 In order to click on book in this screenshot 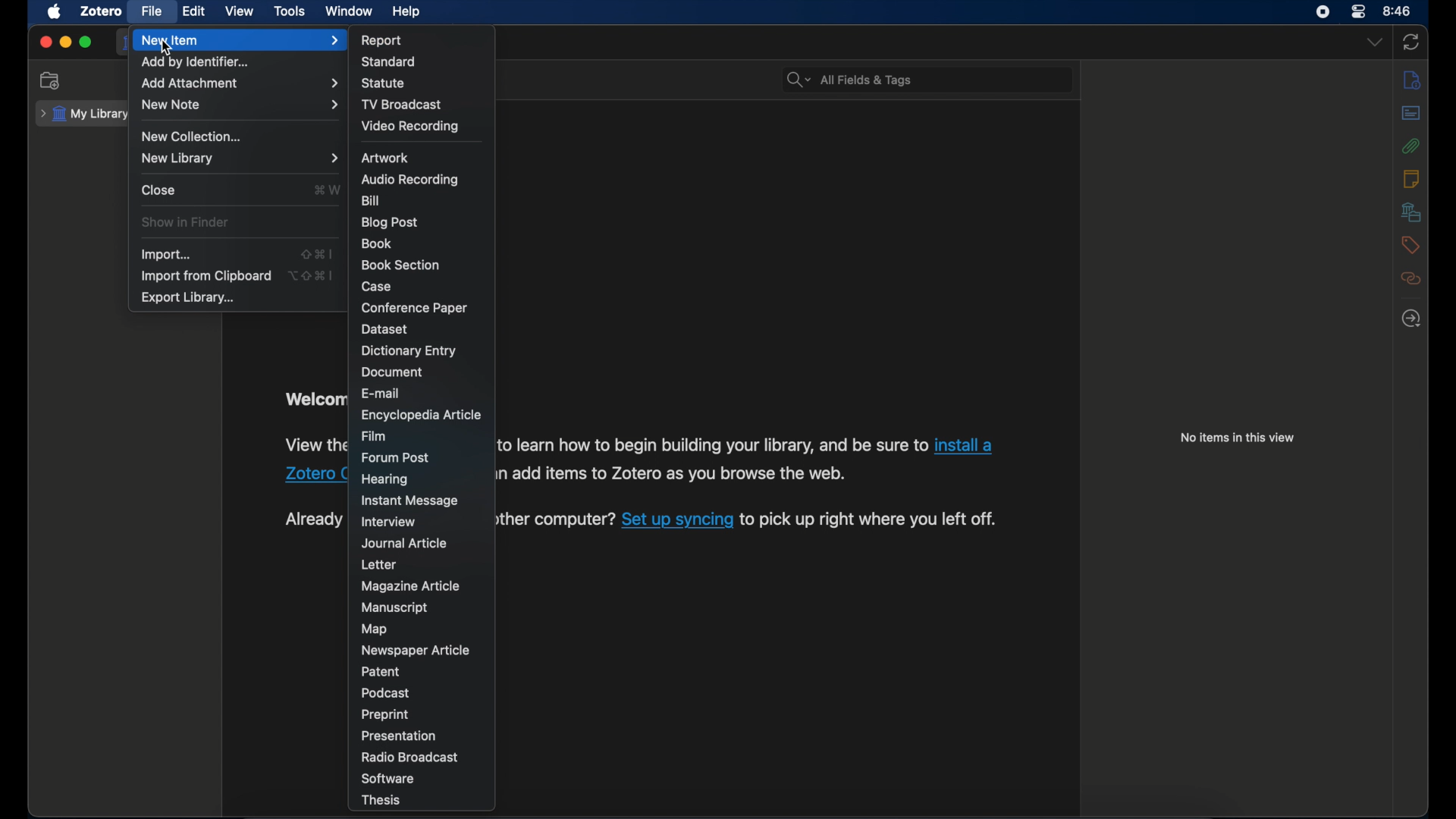, I will do `click(377, 244)`.